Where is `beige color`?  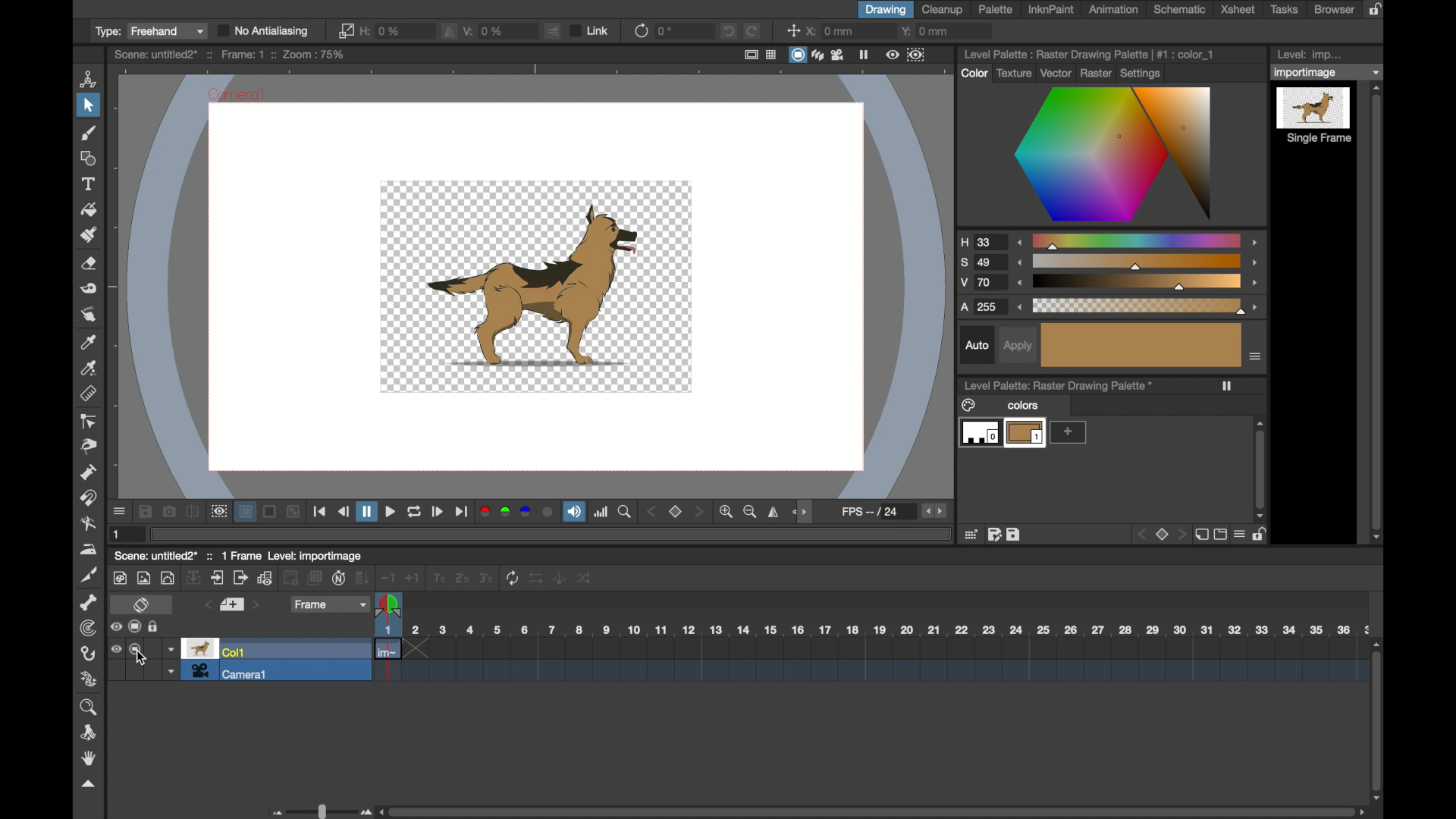 beige color is located at coordinates (1142, 345).